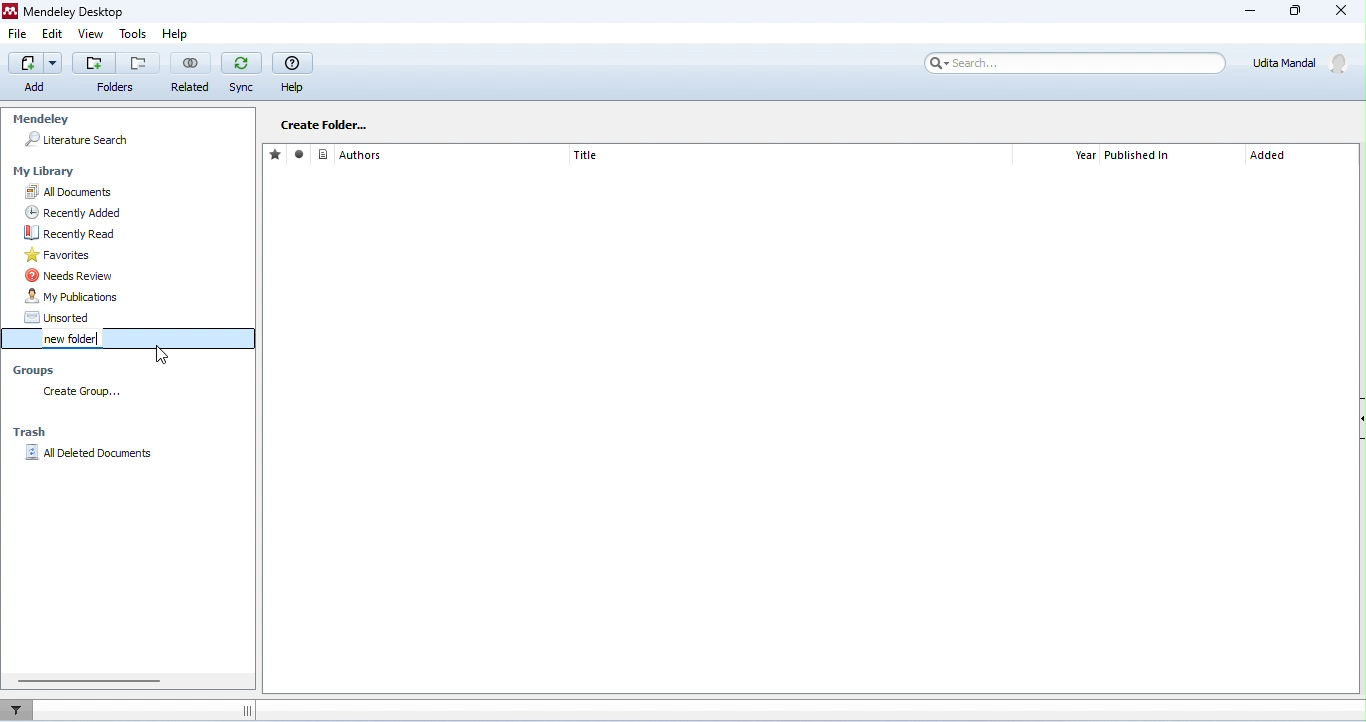  I want to click on edit, so click(53, 34).